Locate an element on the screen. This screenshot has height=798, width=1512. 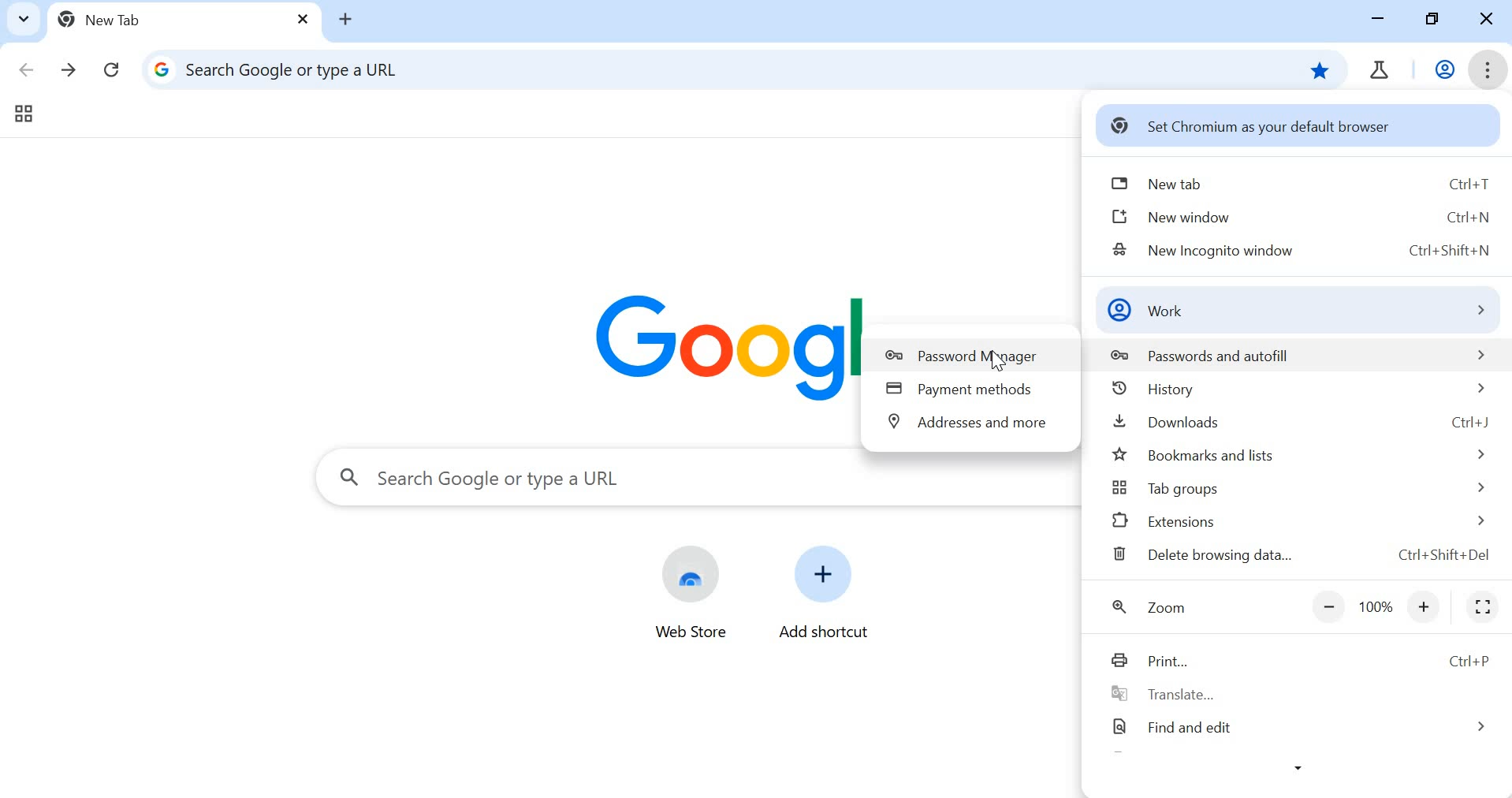
password manager is located at coordinates (966, 354).